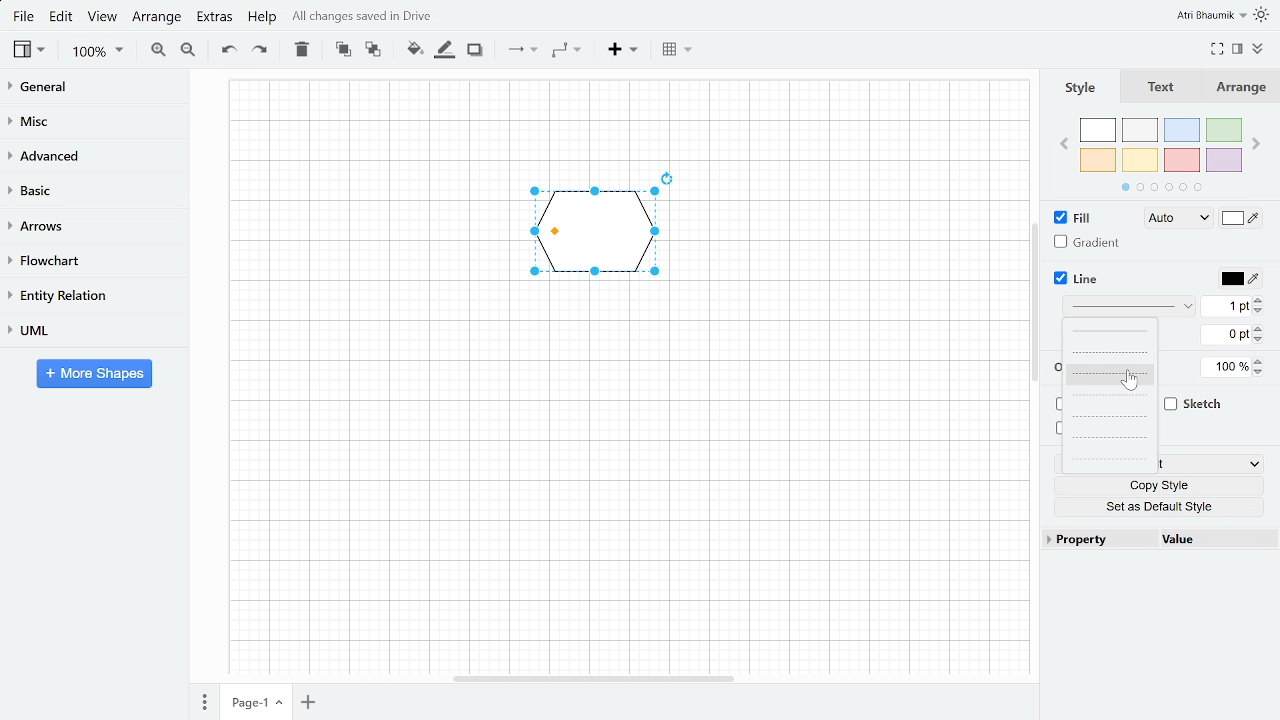 The height and width of the screenshot is (720, 1280). Describe the element at coordinates (61, 19) in the screenshot. I see `Edit` at that location.